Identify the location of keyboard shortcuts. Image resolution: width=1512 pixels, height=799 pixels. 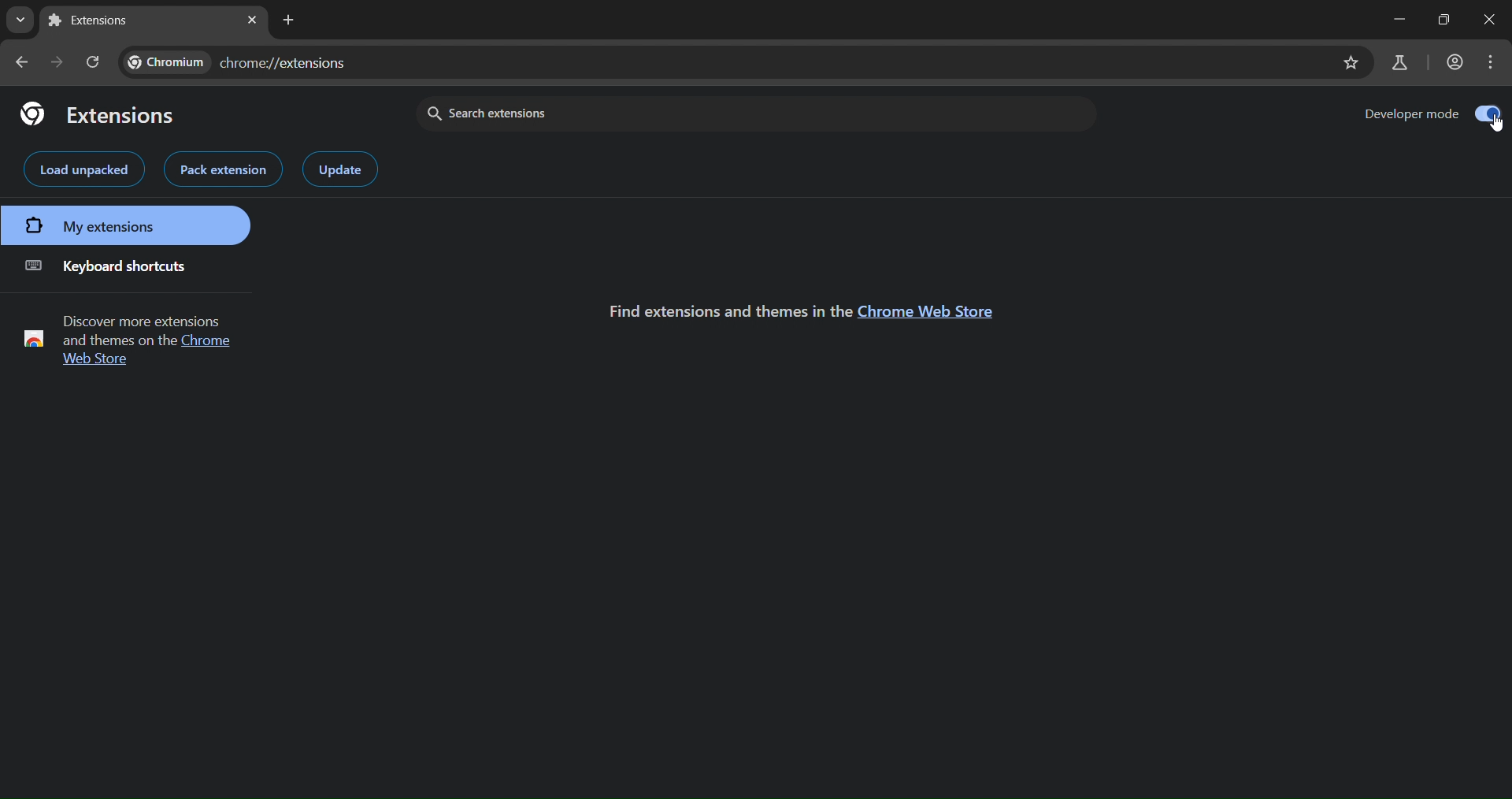
(113, 264).